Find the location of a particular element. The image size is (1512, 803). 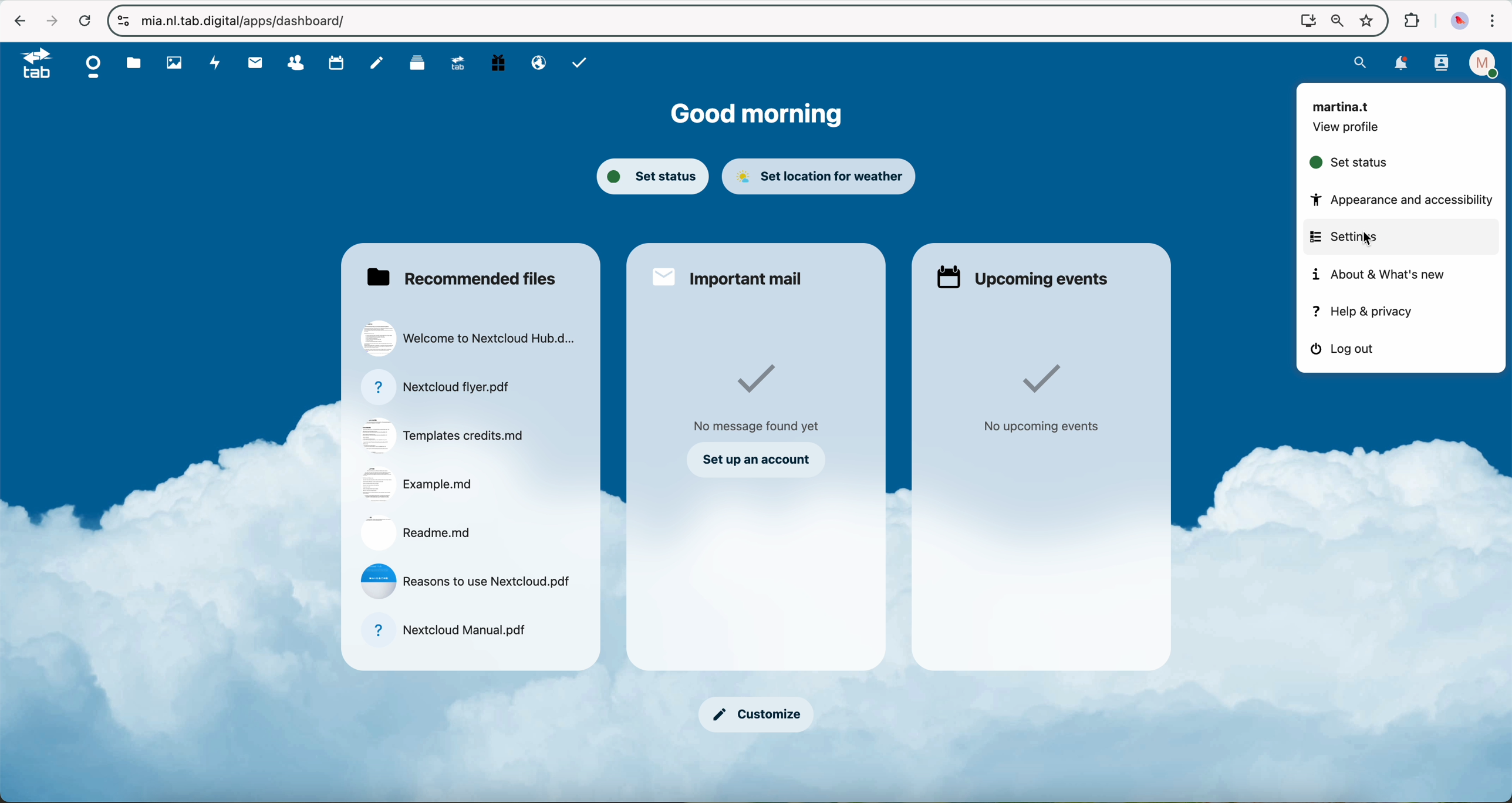

Install NExtcloud is located at coordinates (1305, 20).